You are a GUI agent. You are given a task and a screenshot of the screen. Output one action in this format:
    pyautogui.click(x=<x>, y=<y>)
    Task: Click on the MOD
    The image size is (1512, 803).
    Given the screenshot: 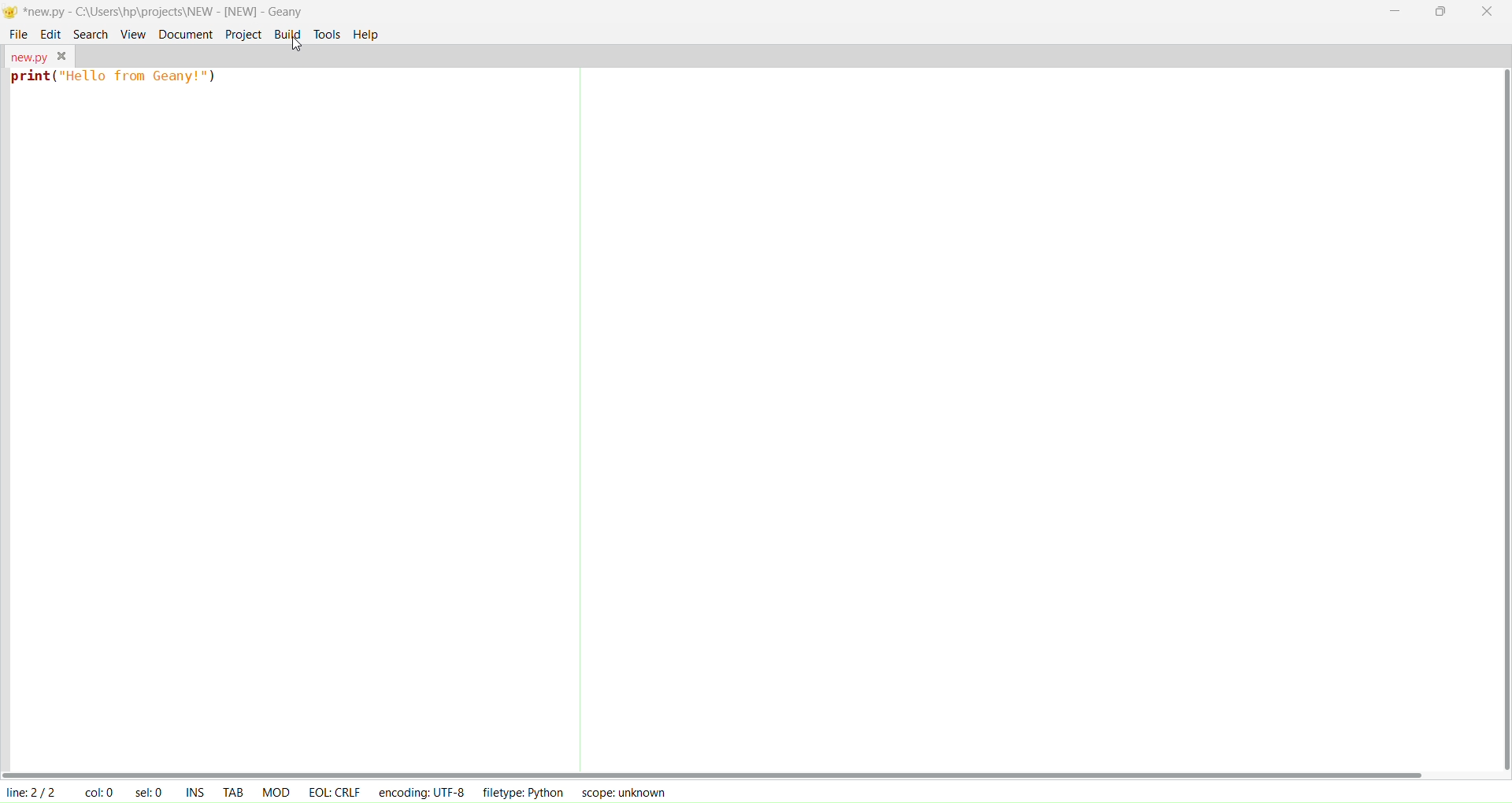 What is the action you would take?
    pyautogui.click(x=276, y=792)
    